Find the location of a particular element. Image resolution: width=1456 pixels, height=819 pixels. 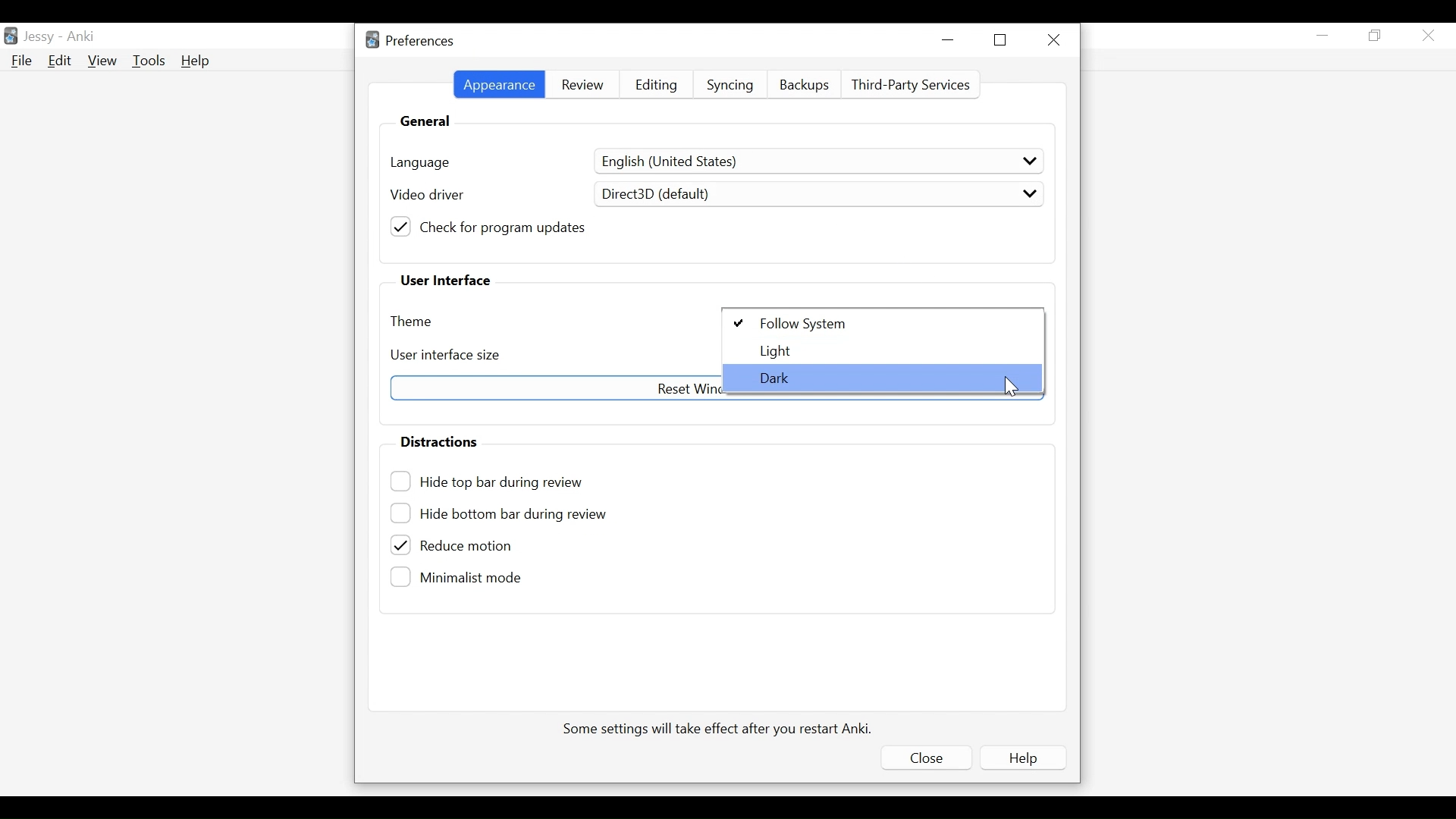

Dark  is located at coordinates (886, 378).